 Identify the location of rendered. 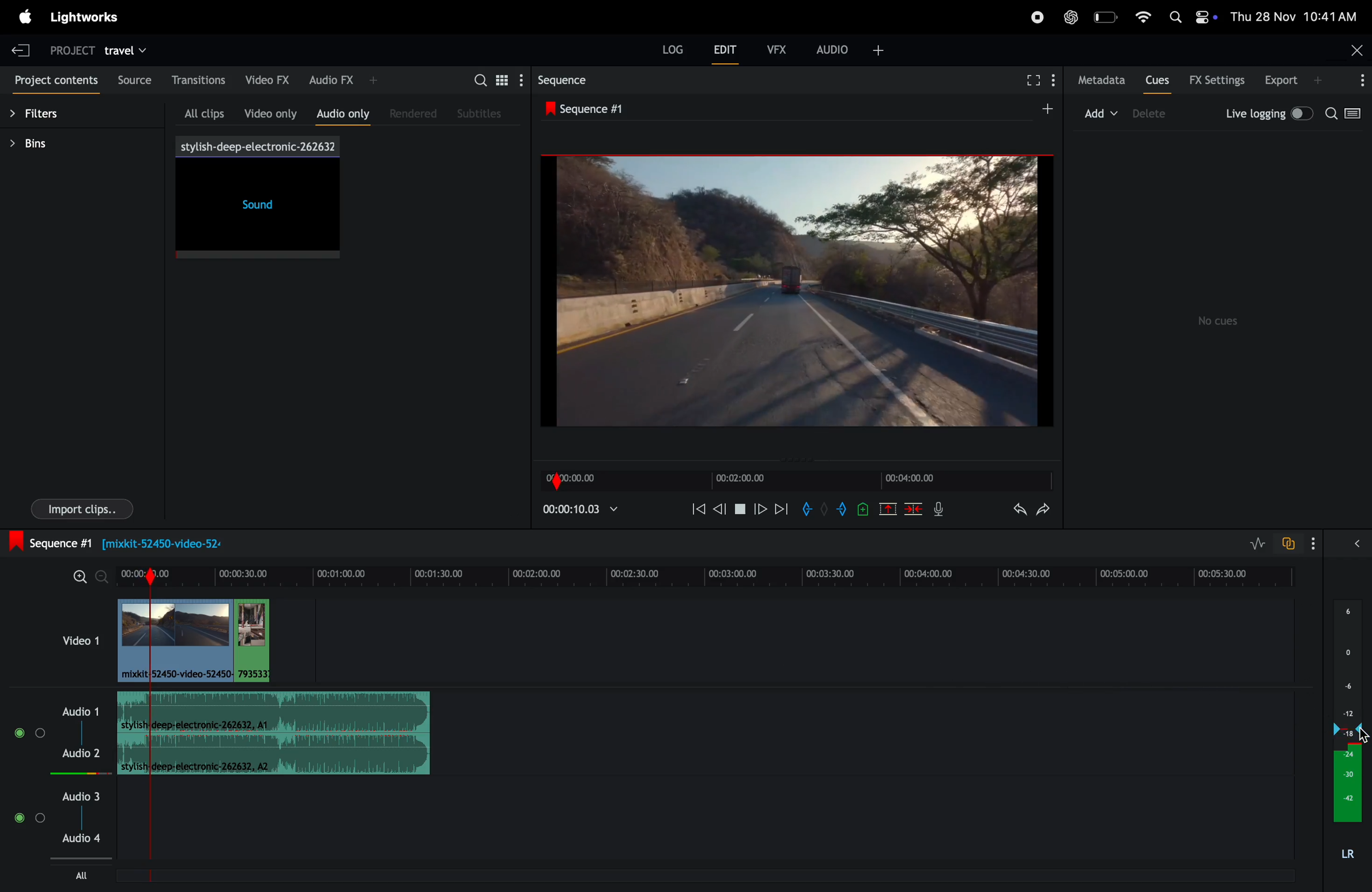
(411, 114).